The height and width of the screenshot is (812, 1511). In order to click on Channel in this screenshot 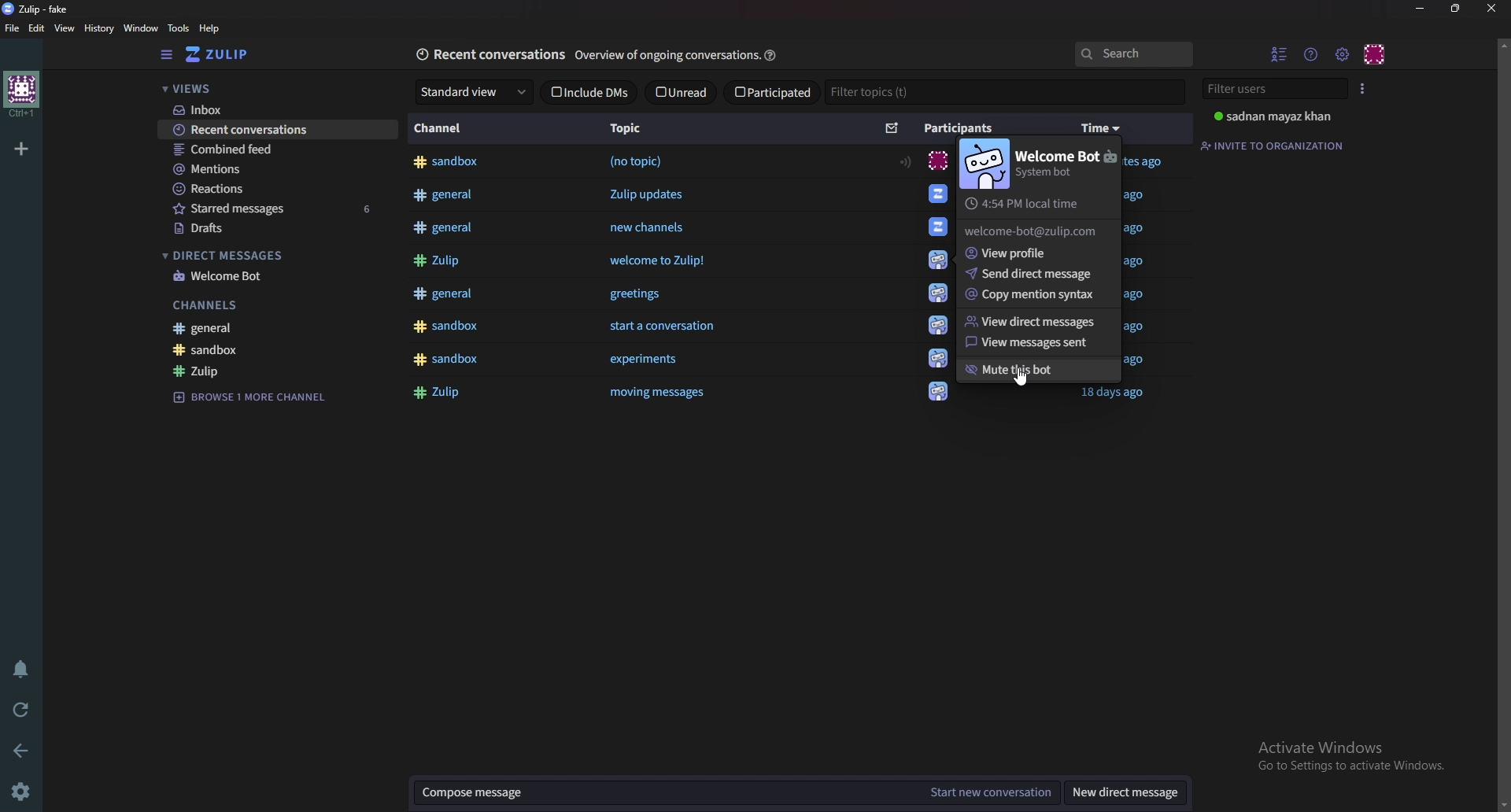, I will do `click(445, 128)`.